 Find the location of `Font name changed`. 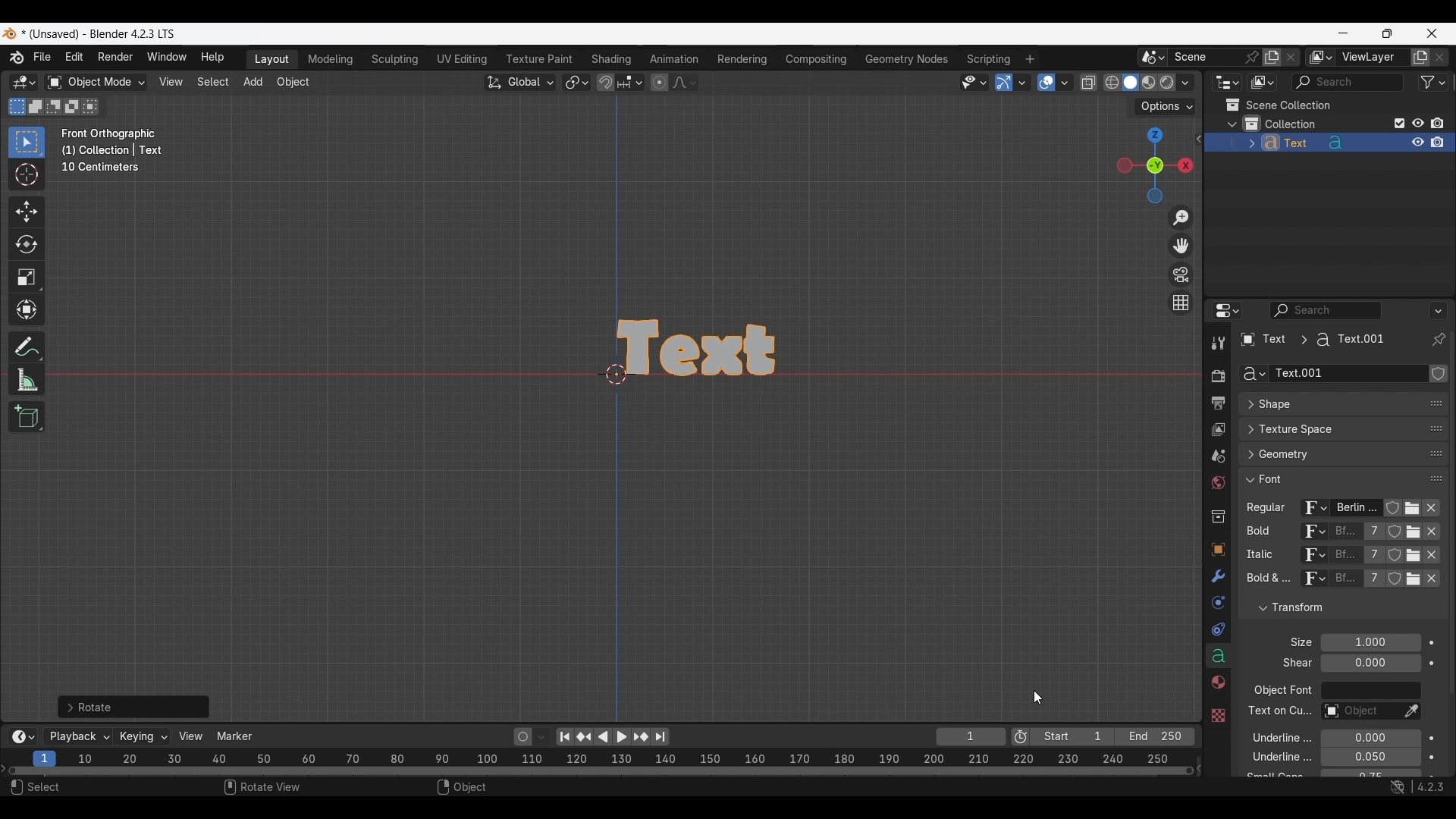

Font name changed is located at coordinates (1357, 508).